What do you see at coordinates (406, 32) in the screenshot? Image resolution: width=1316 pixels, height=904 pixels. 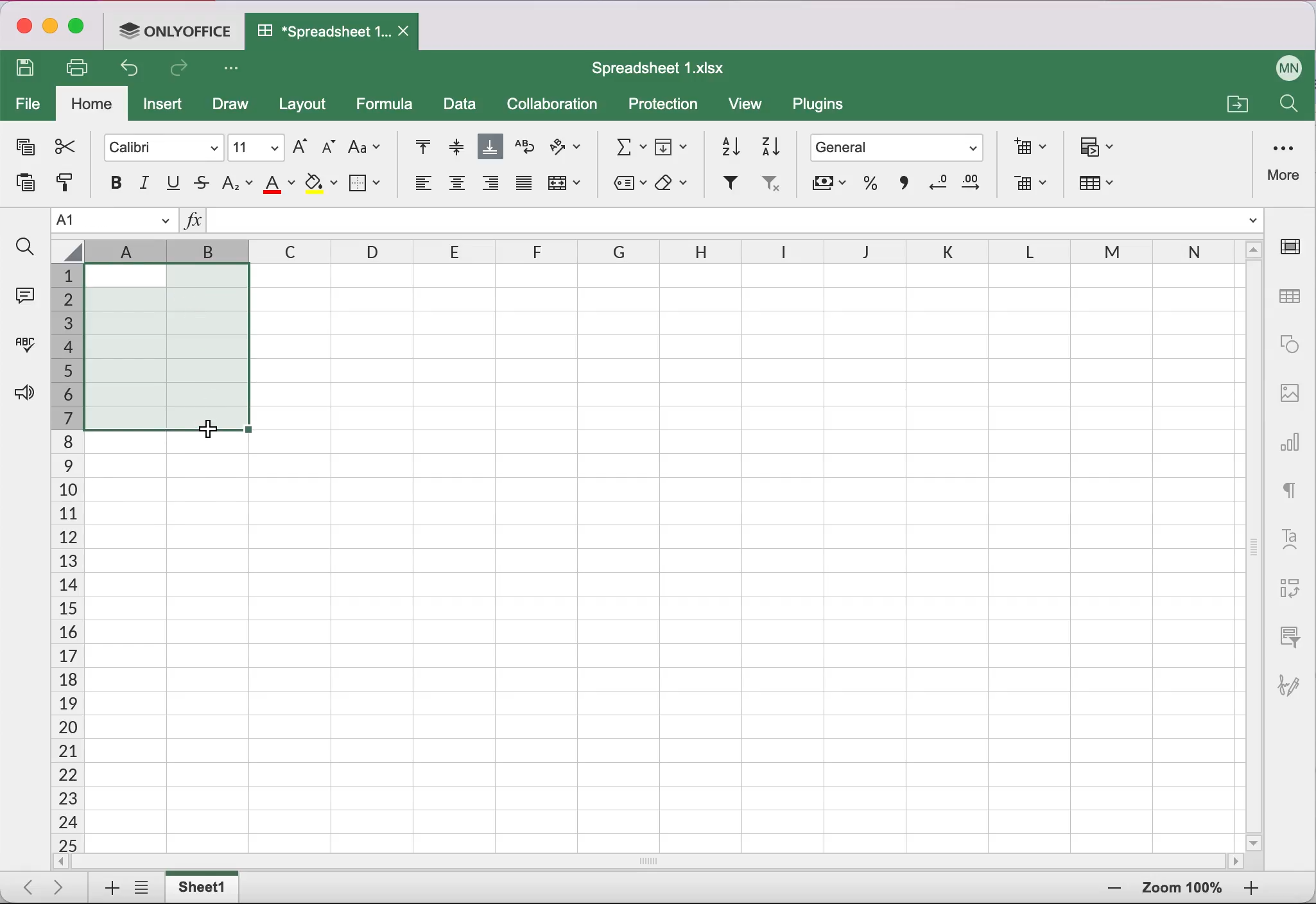 I see `Close` at bounding box center [406, 32].